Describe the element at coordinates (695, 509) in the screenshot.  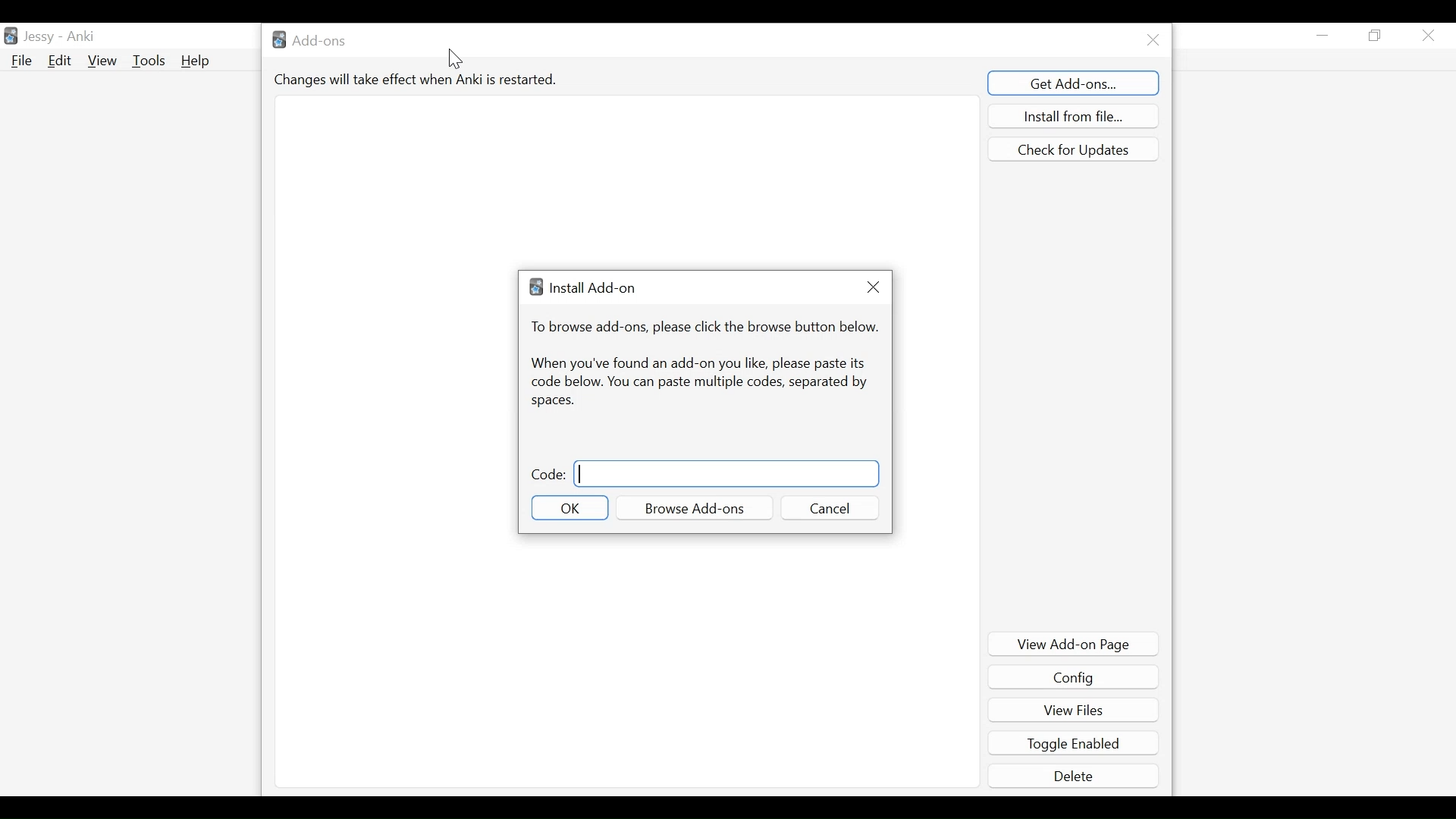
I see `Browse Add-ons` at that location.